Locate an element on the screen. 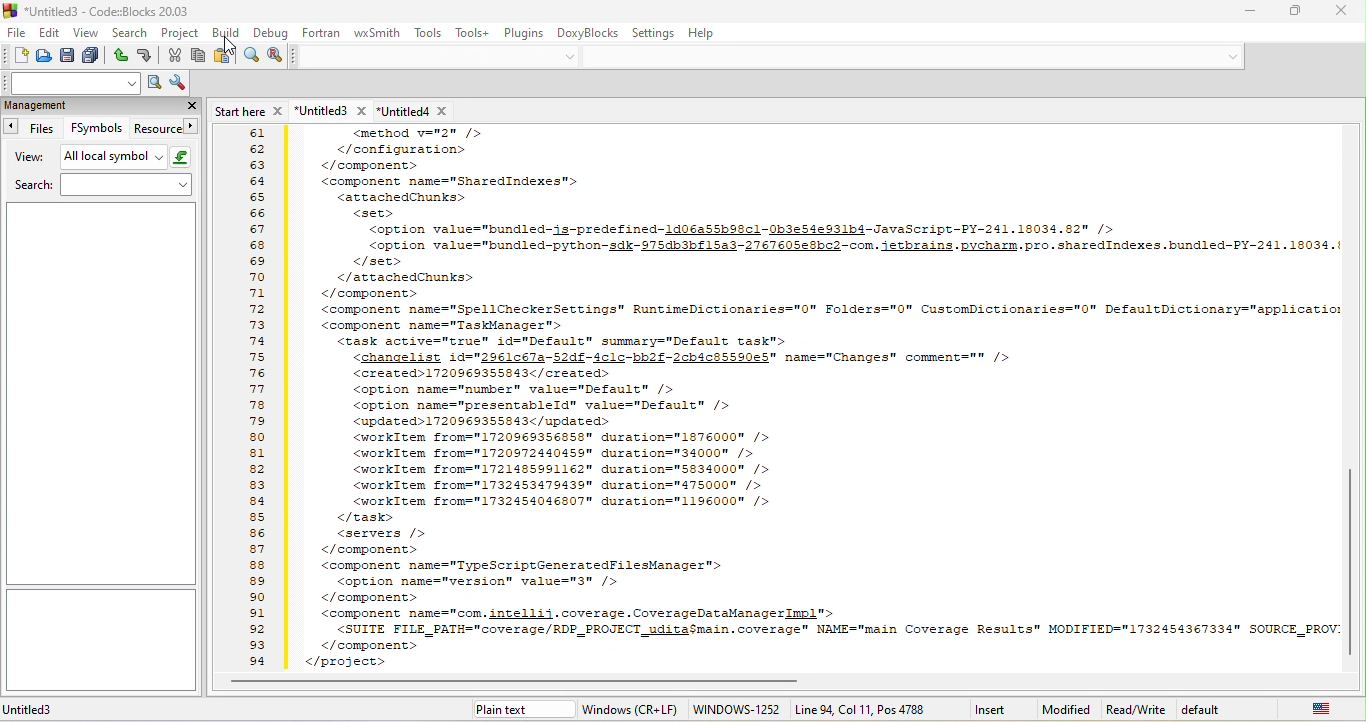 The width and height of the screenshot is (1366, 722). untitled-code blocks 20.03 is located at coordinates (98, 10).